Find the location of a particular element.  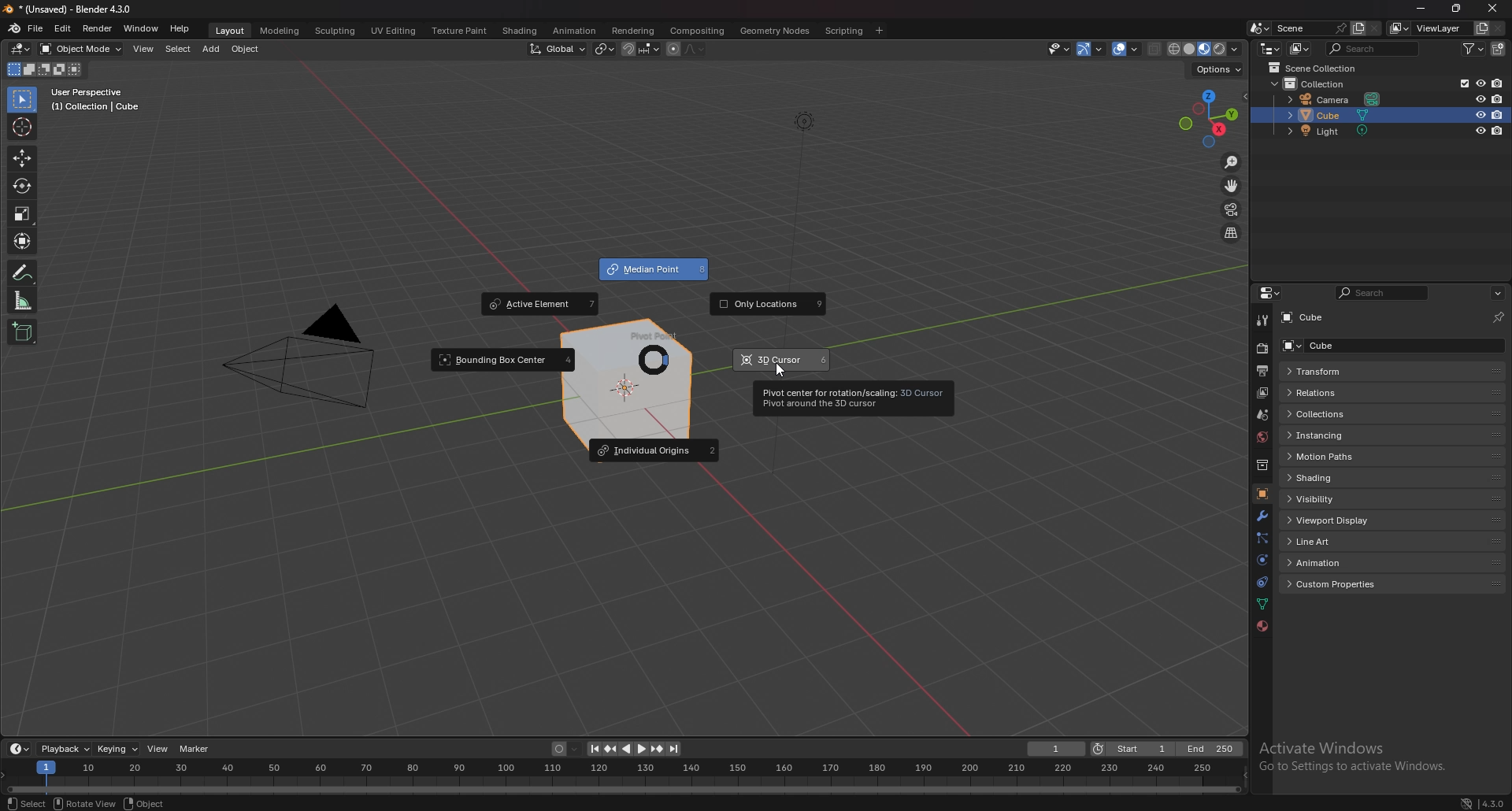

hide in viewport is located at coordinates (1479, 83).